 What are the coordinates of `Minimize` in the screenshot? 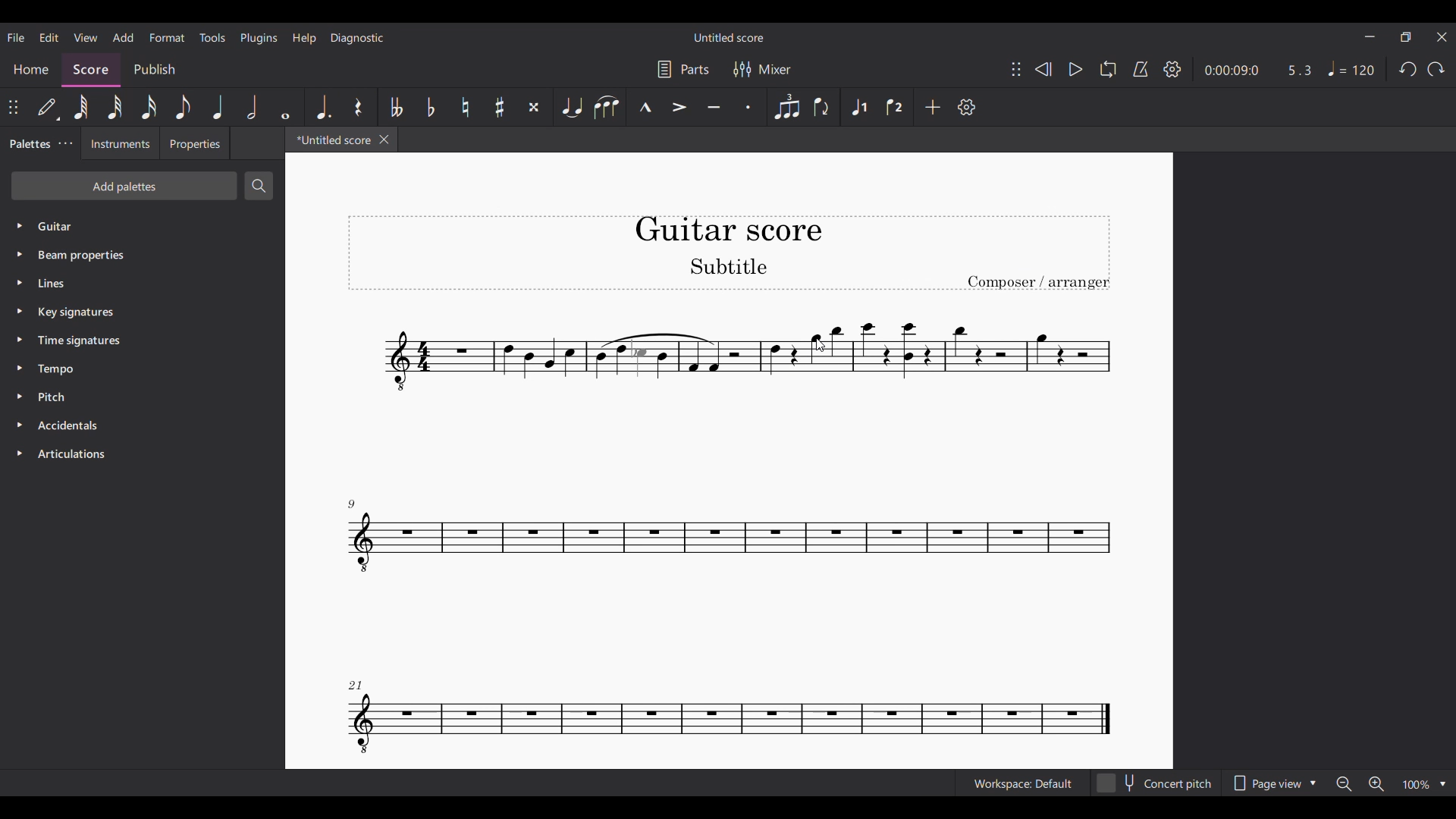 It's located at (1370, 36).